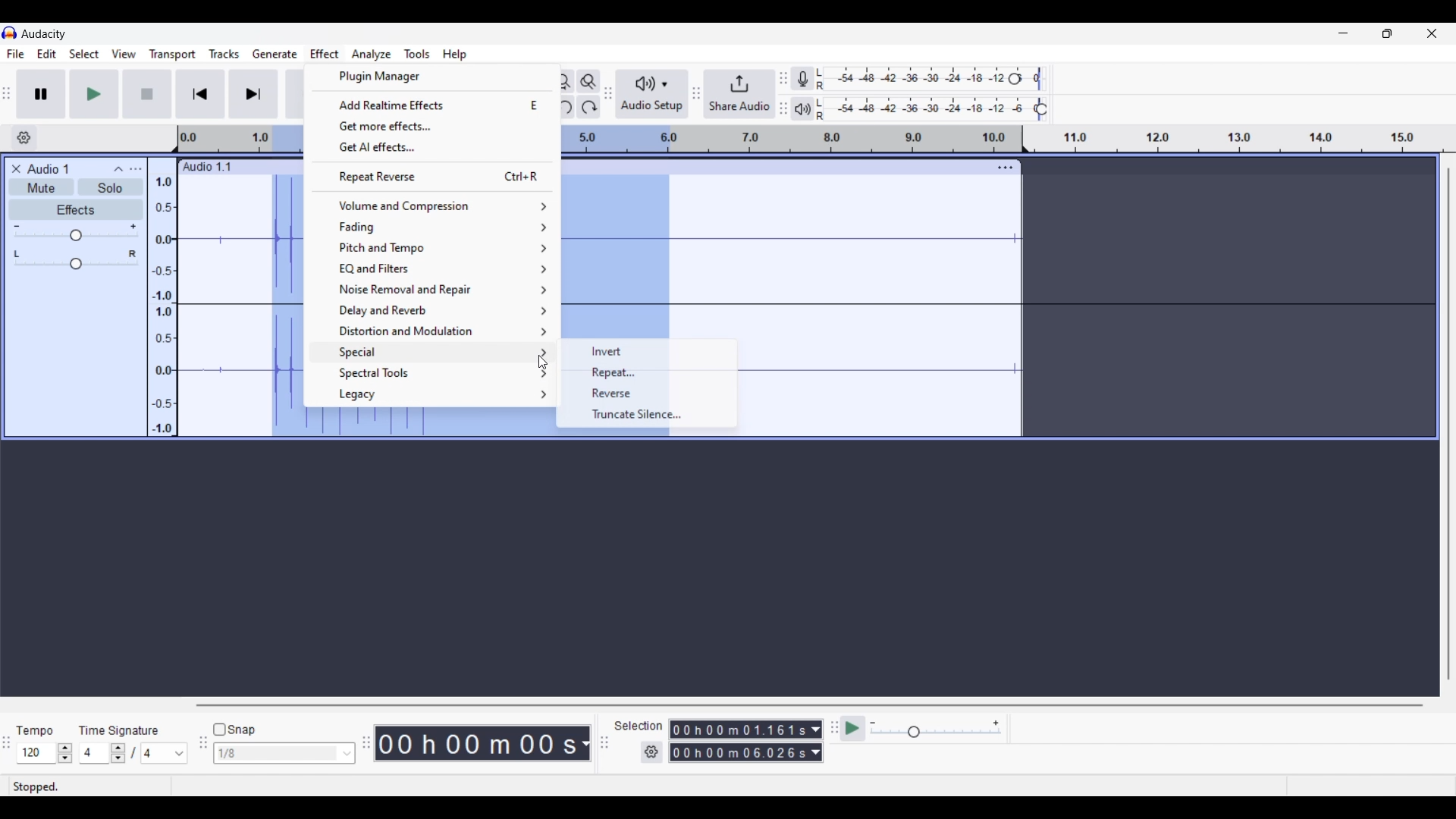  Describe the element at coordinates (434, 268) in the screenshot. I see `EQ and filter options ` at that location.